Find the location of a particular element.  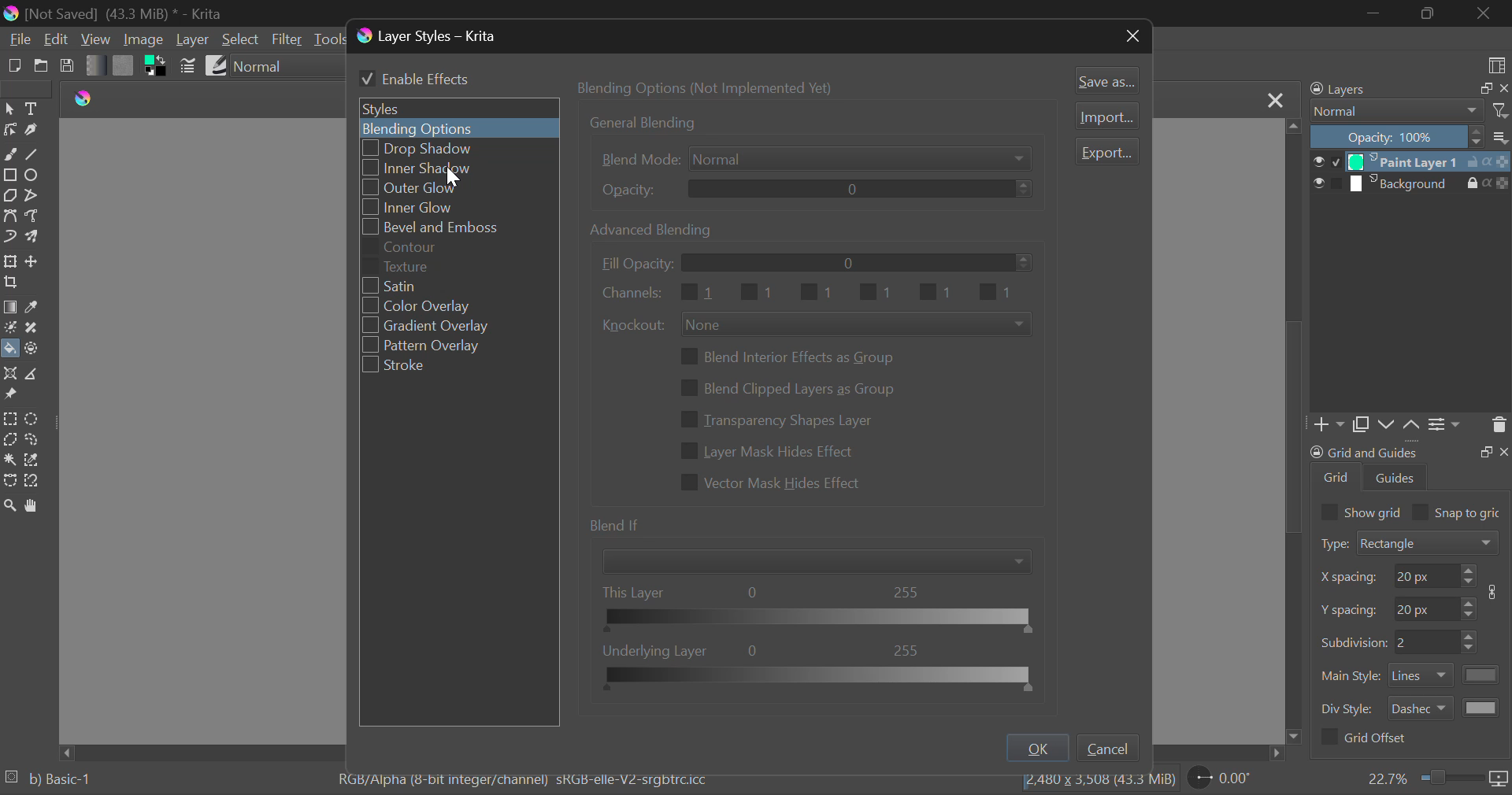

Texture is located at coordinates (452, 266).